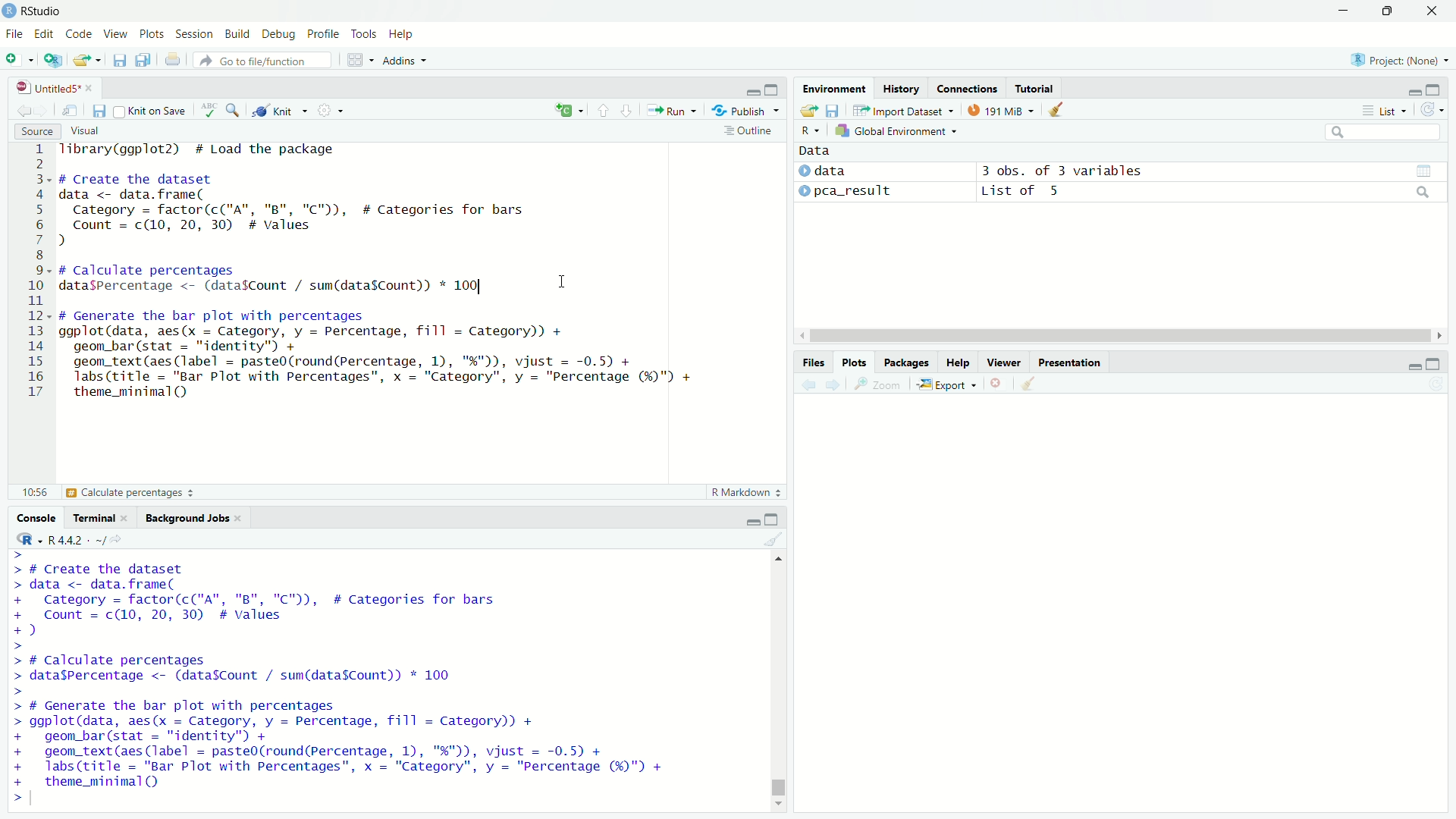 This screenshot has width=1456, height=819. Describe the element at coordinates (282, 35) in the screenshot. I see `Debug` at that location.